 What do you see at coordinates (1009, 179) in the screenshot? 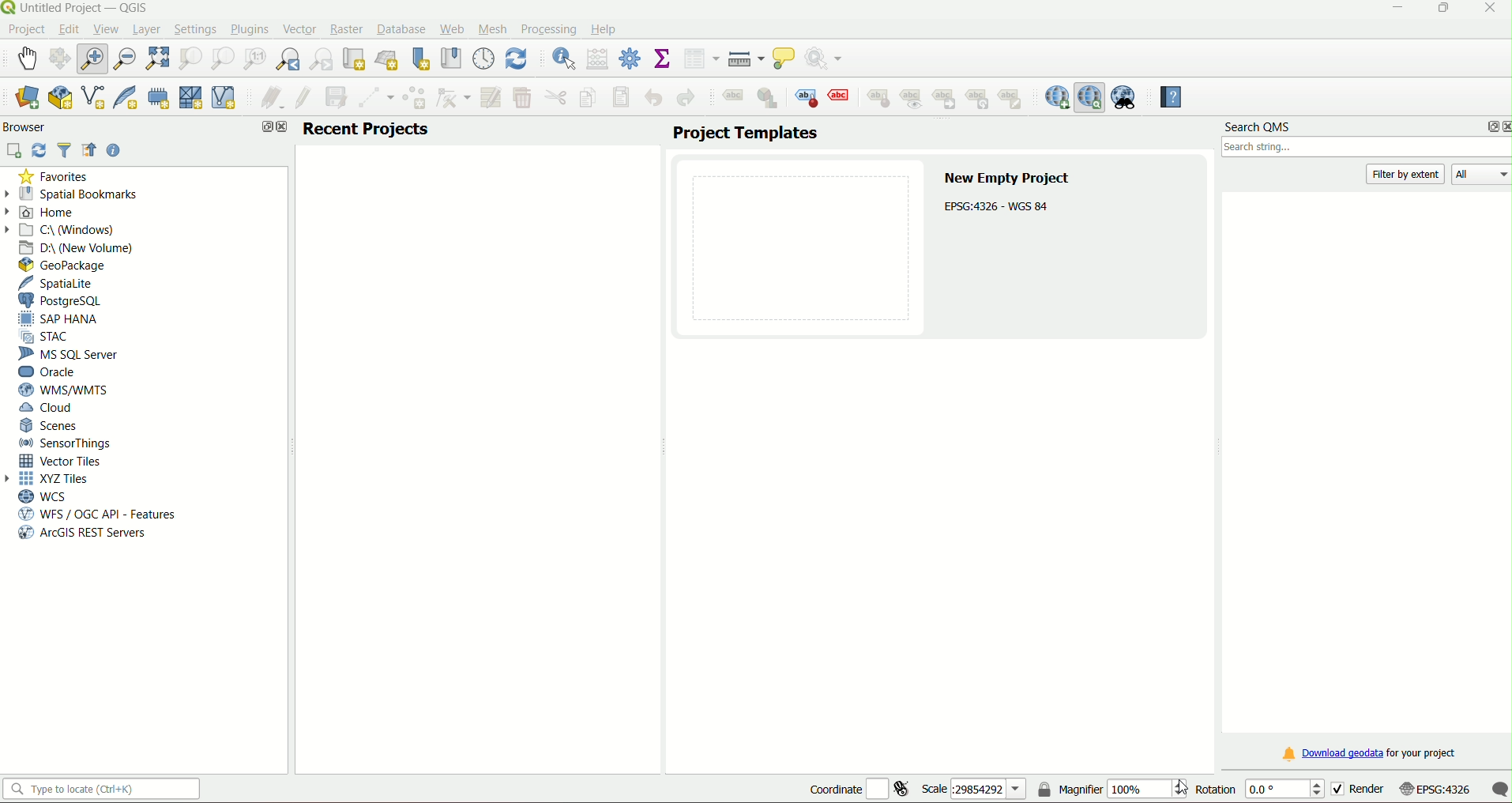
I see `new empty project` at bounding box center [1009, 179].